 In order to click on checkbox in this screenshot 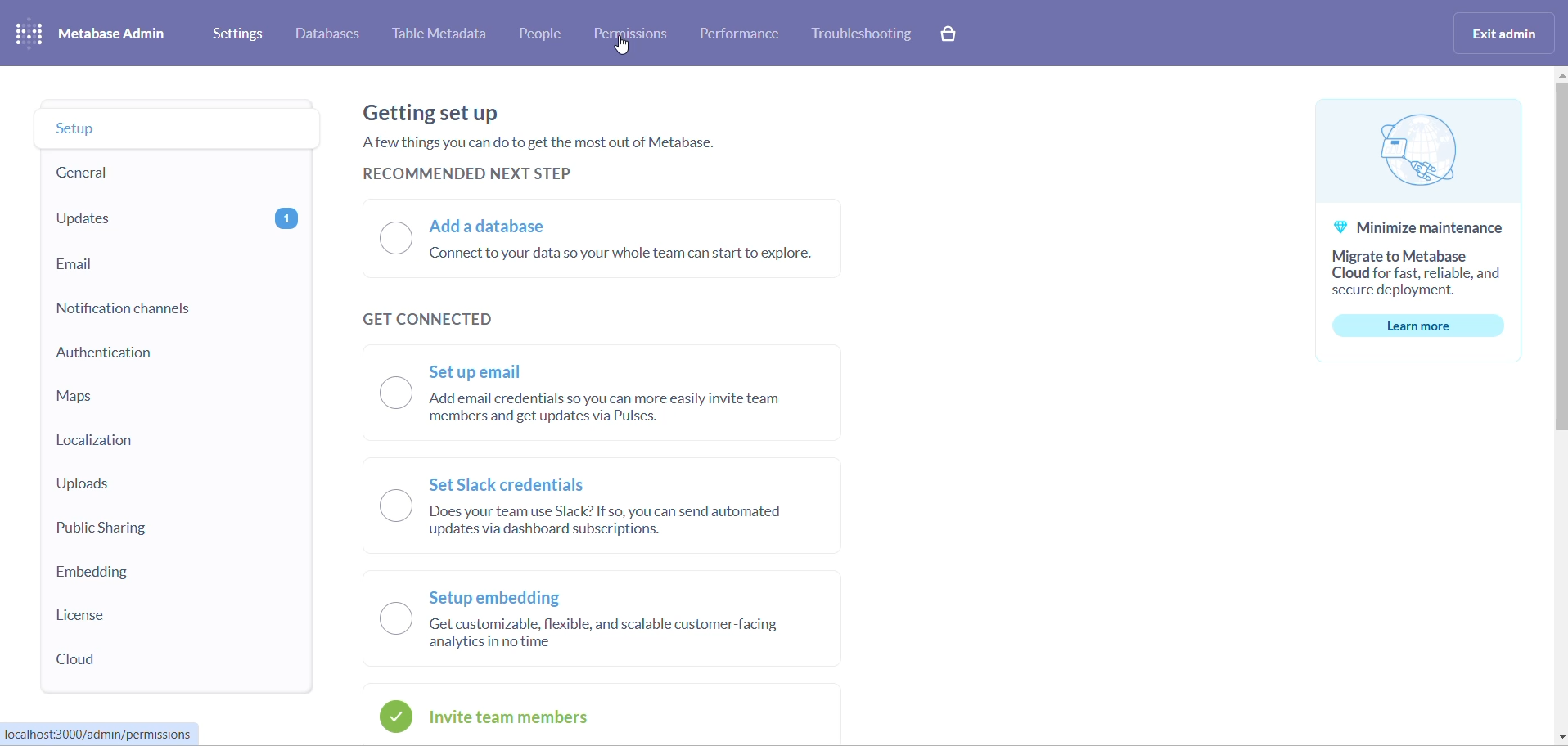, I will do `click(394, 619)`.